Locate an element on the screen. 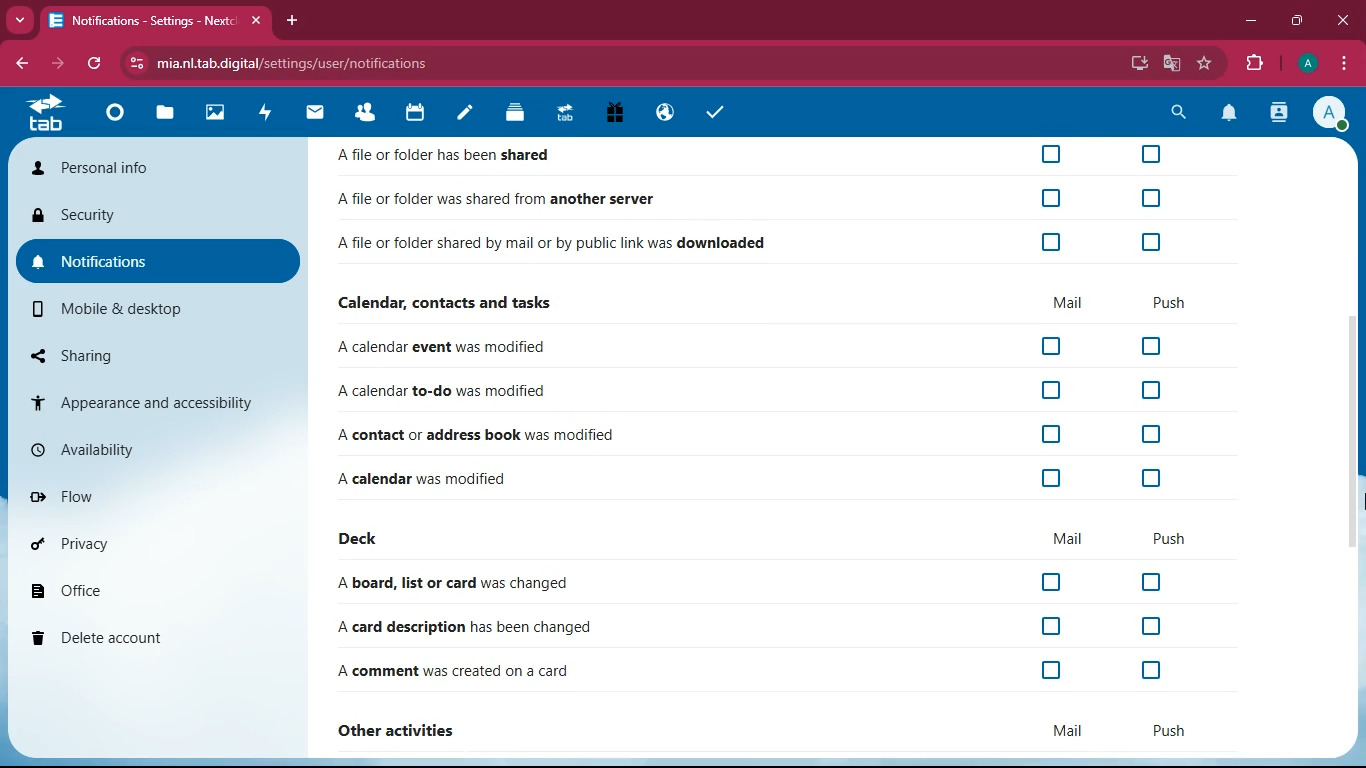 This screenshot has height=768, width=1366. off is located at coordinates (1052, 671).